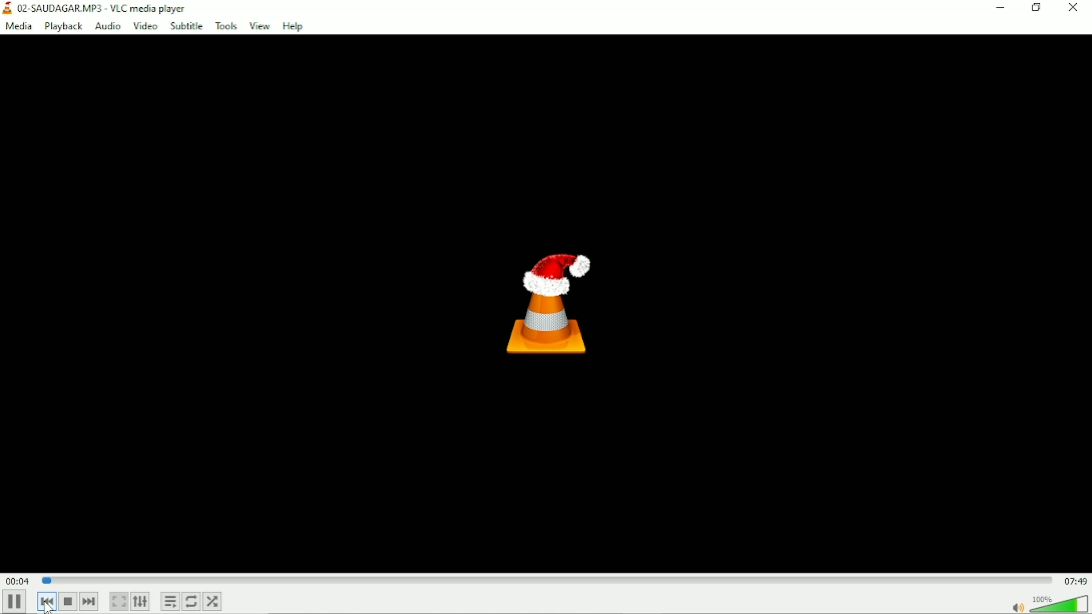 Image resolution: width=1092 pixels, height=614 pixels. Describe the element at coordinates (192, 602) in the screenshot. I see `Toggle between loop all, loop one, no loop` at that location.